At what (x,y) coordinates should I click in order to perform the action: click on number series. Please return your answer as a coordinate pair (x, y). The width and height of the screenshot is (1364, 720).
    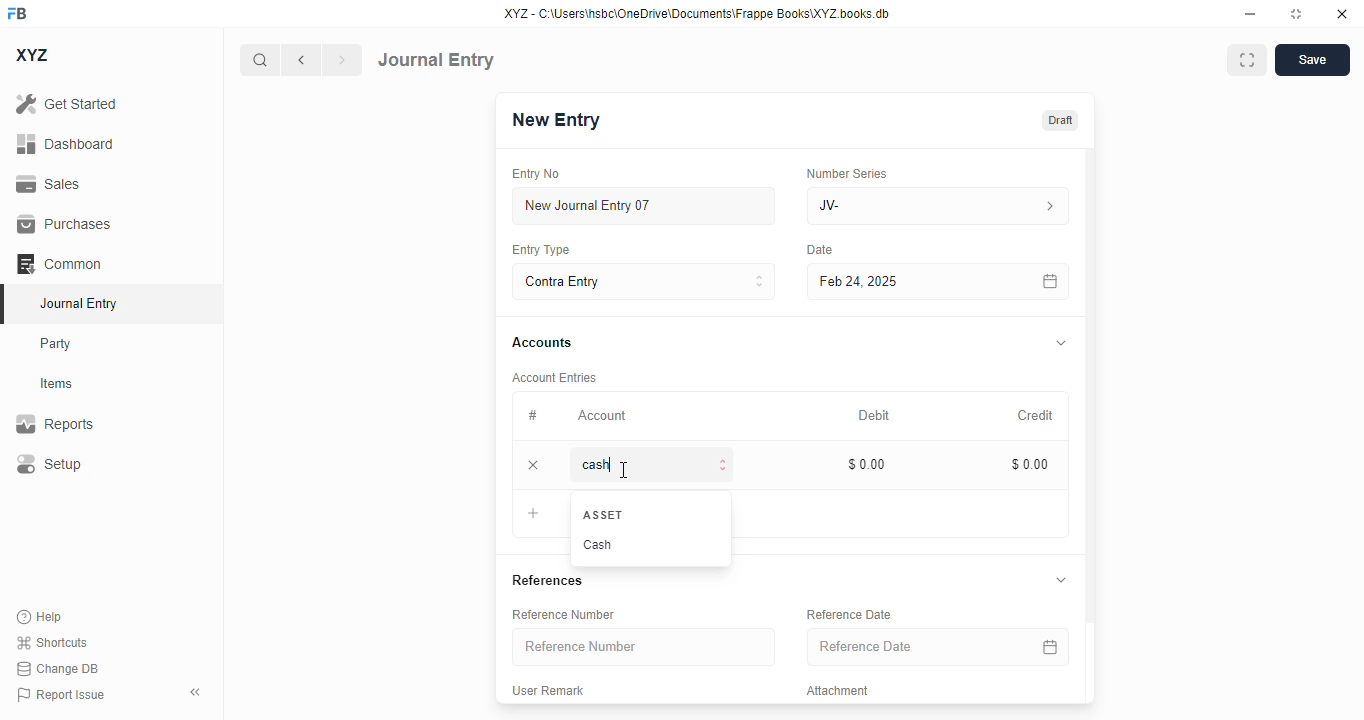
    Looking at the image, I should click on (849, 173).